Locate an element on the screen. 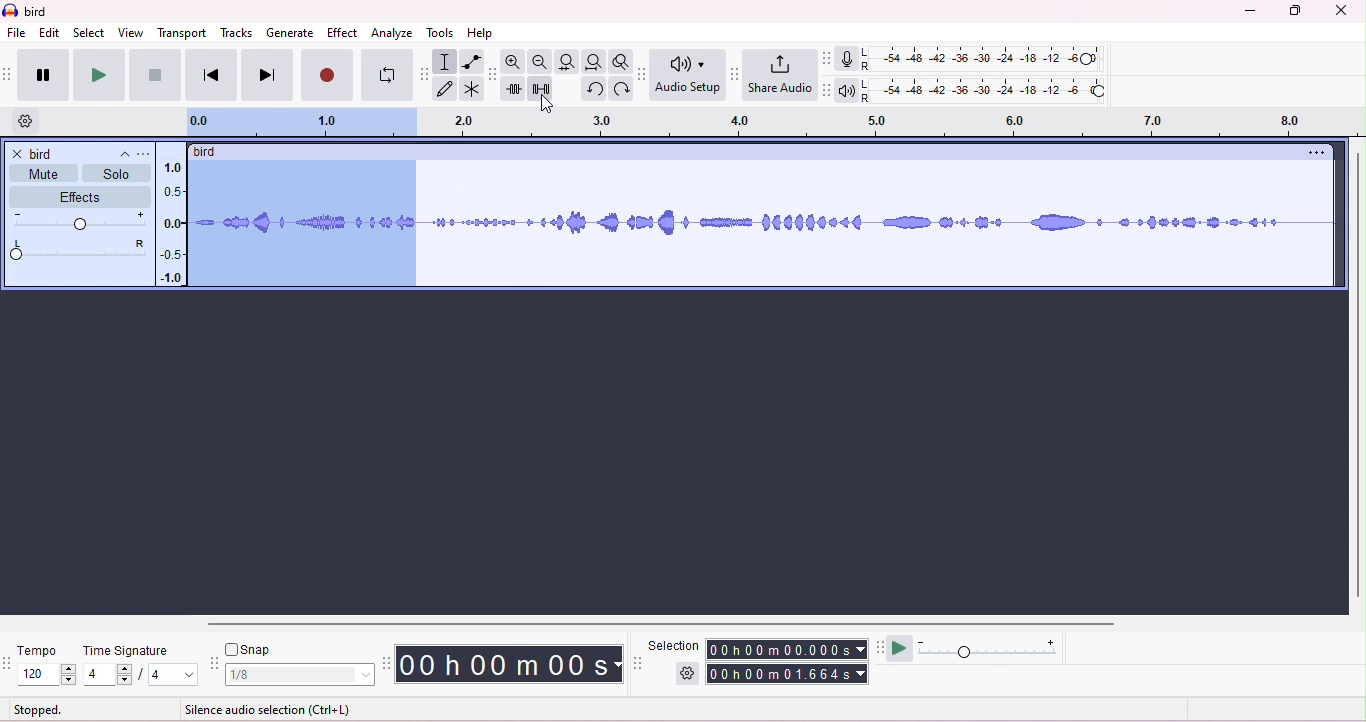 The height and width of the screenshot is (722, 1366). select tempo is located at coordinates (48, 676).